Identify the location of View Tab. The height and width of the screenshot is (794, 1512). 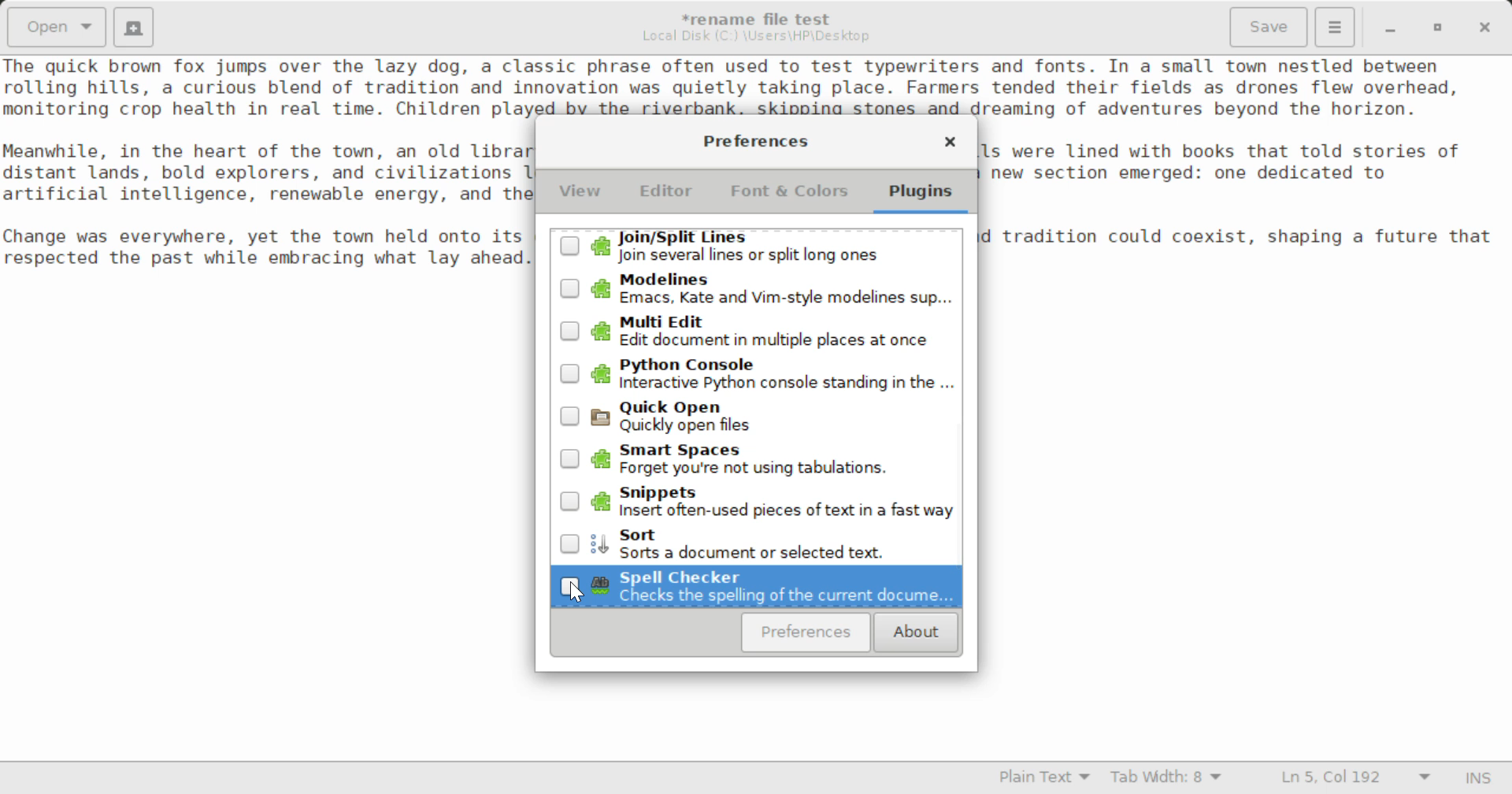
(580, 195).